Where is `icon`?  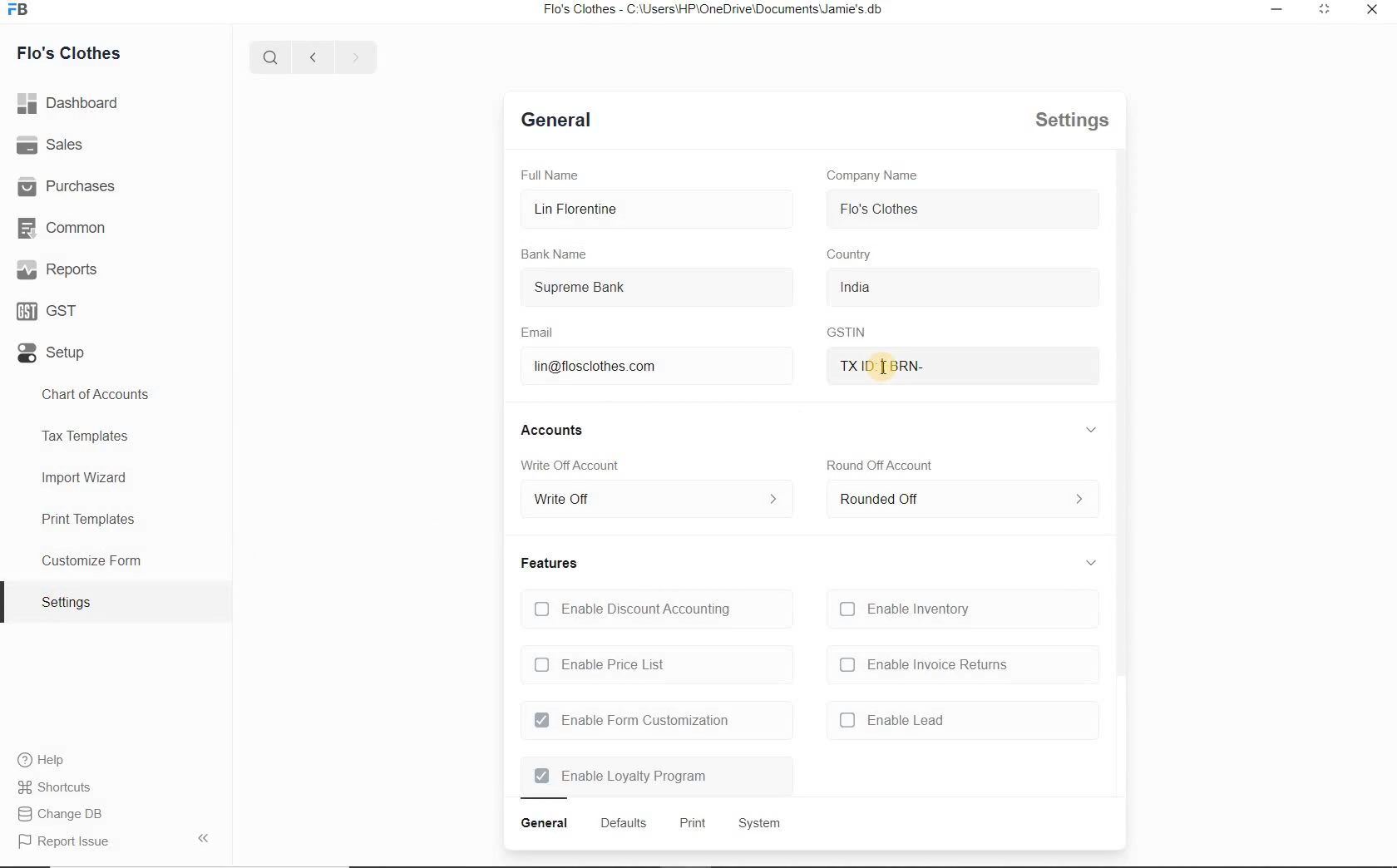
icon is located at coordinates (23, 14).